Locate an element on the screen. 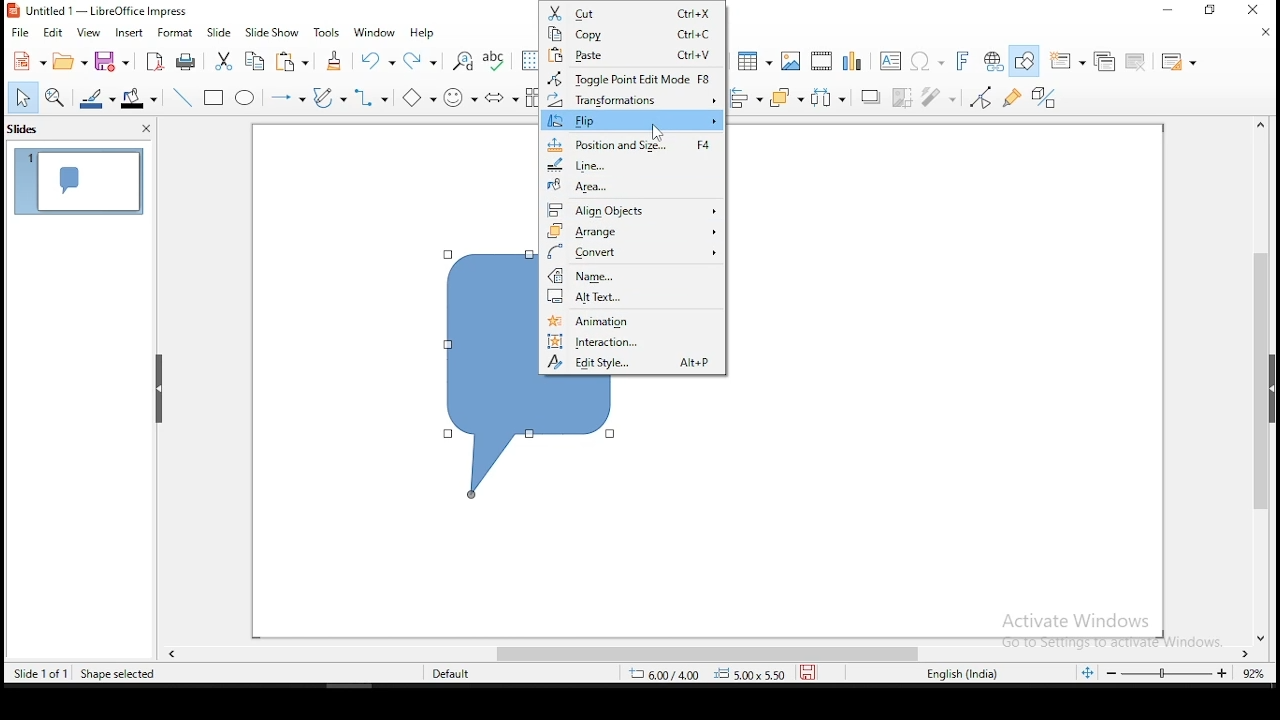 The width and height of the screenshot is (1280, 720). distribute is located at coordinates (829, 96).